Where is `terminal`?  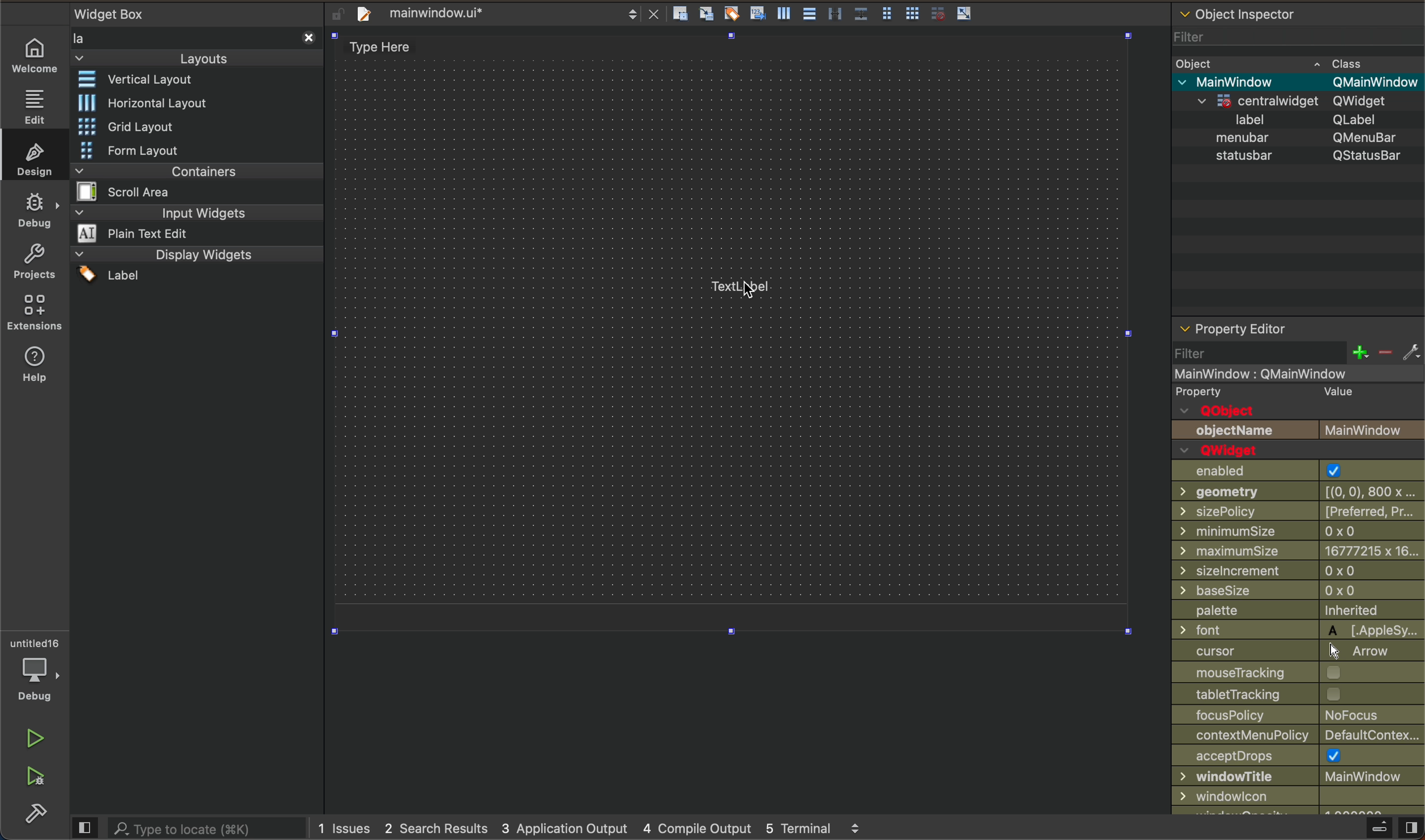 terminal is located at coordinates (823, 828).